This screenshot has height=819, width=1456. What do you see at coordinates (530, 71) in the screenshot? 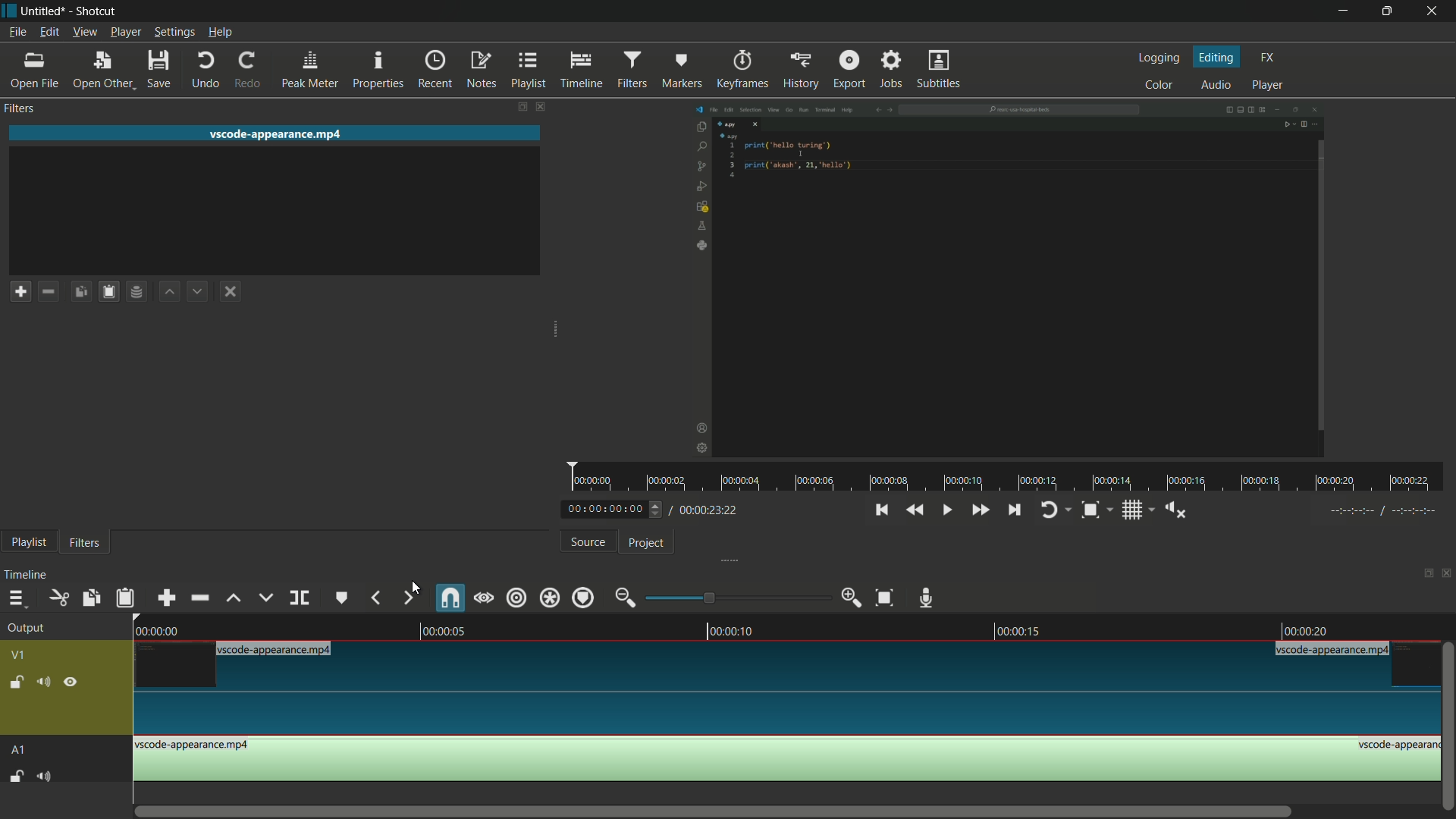
I see `playlist` at bounding box center [530, 71].